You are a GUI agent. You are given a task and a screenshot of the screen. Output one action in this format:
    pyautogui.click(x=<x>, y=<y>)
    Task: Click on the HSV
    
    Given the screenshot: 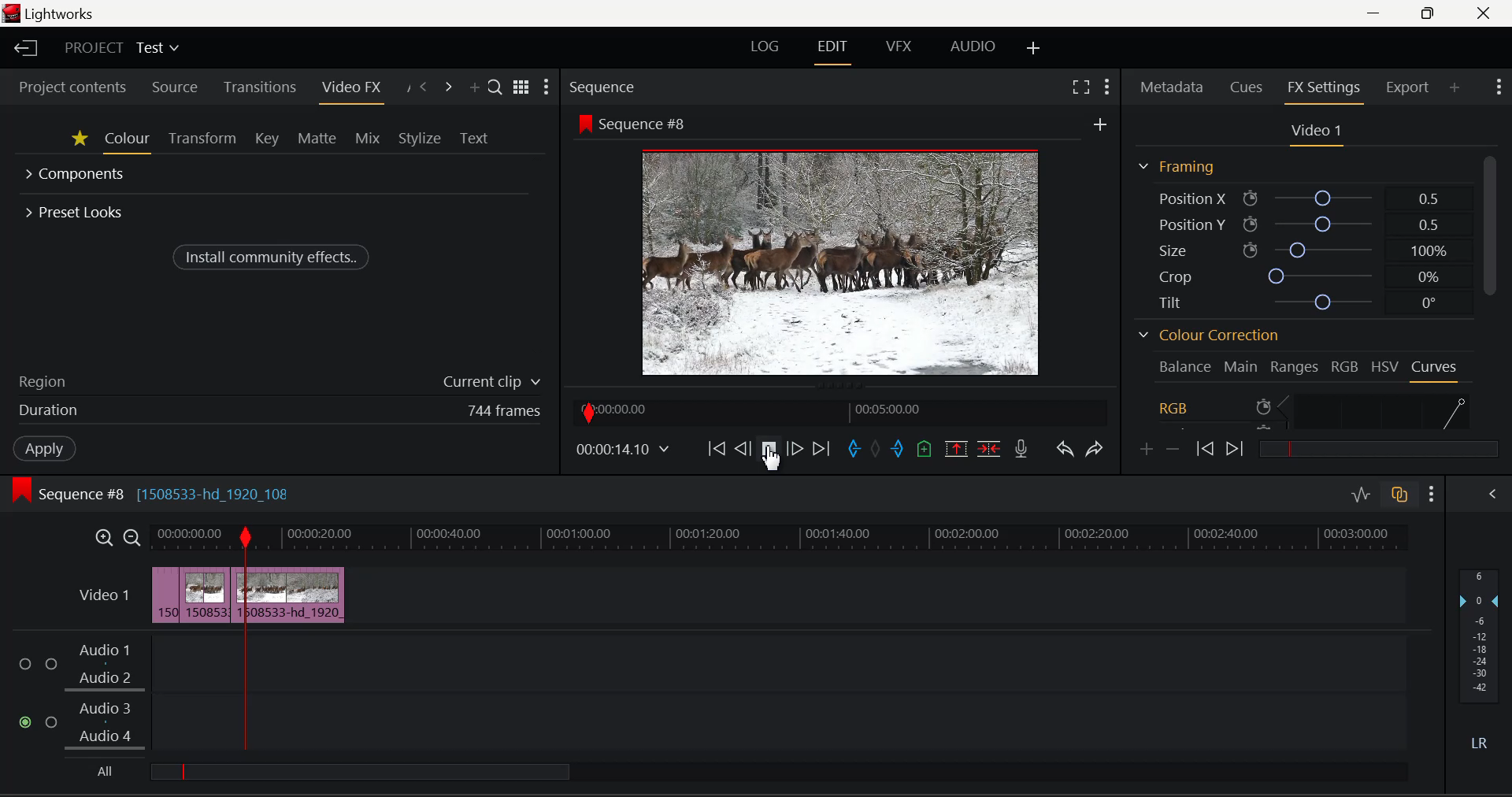 What is the action you would take?
    pyautogui.click(x=1387, y=365)
    